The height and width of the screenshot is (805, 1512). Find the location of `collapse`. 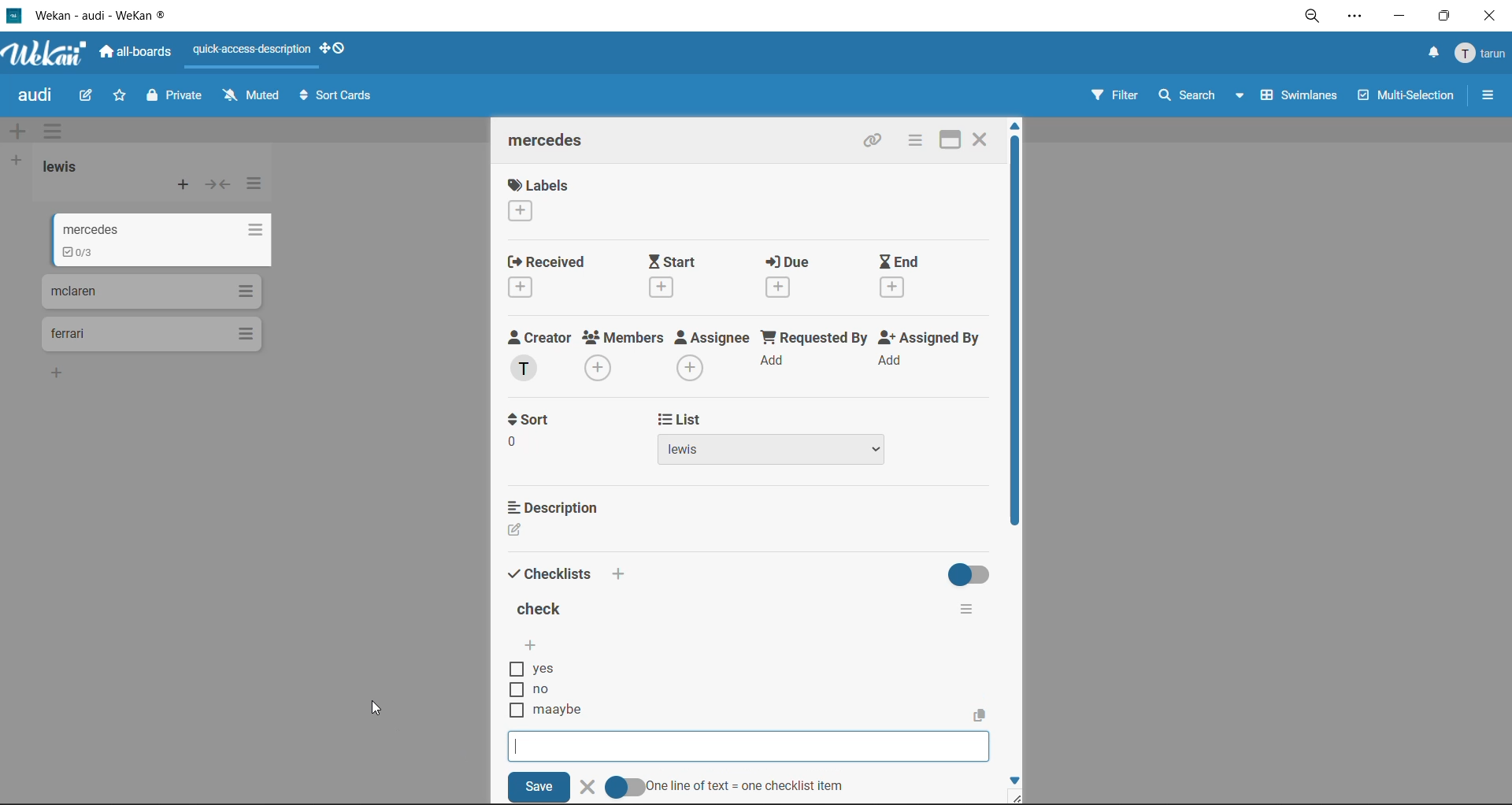

collapse is located at coordinates (217, 185).